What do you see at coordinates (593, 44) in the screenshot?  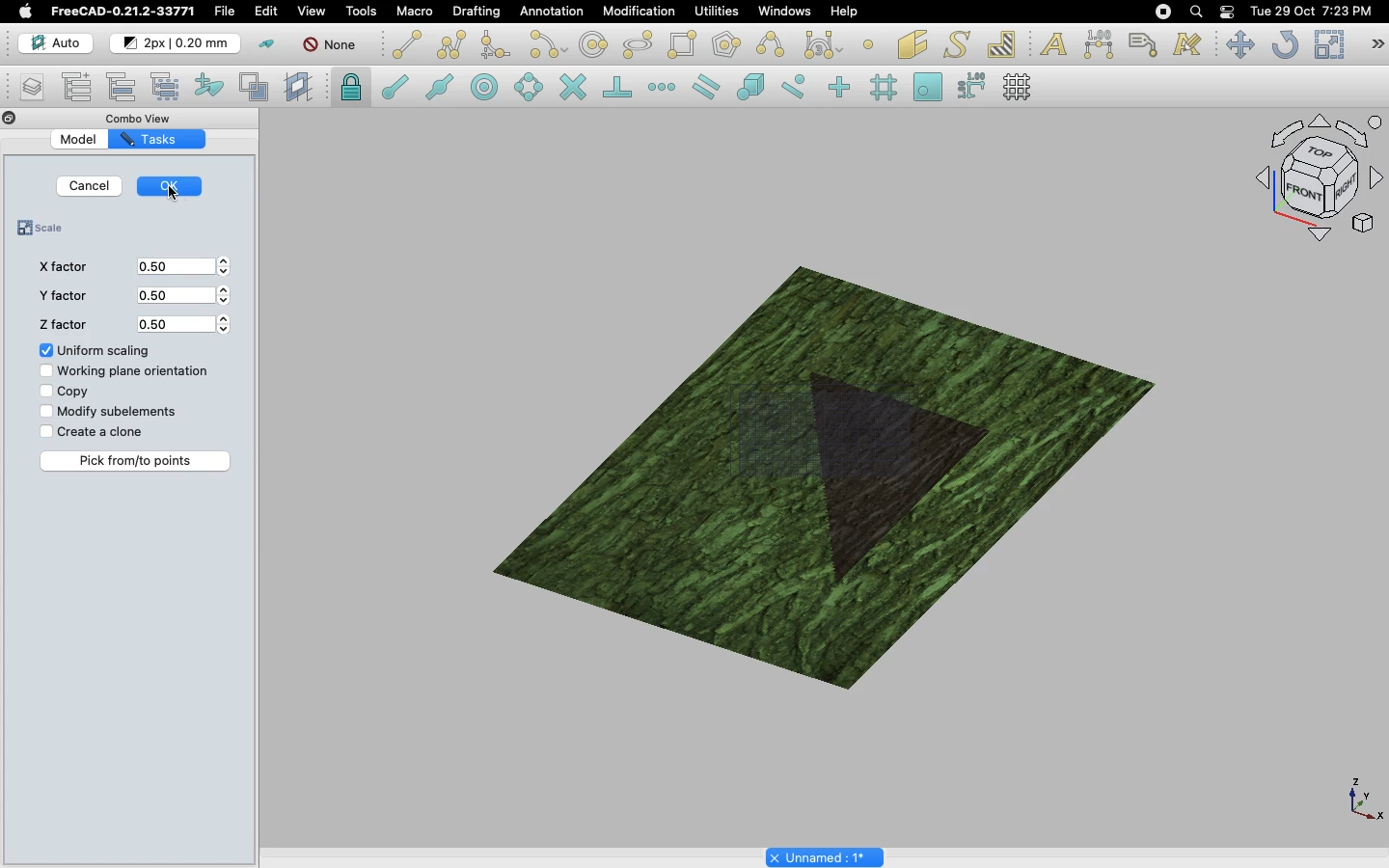 I see `Circle` at bounding box center [593, 44].